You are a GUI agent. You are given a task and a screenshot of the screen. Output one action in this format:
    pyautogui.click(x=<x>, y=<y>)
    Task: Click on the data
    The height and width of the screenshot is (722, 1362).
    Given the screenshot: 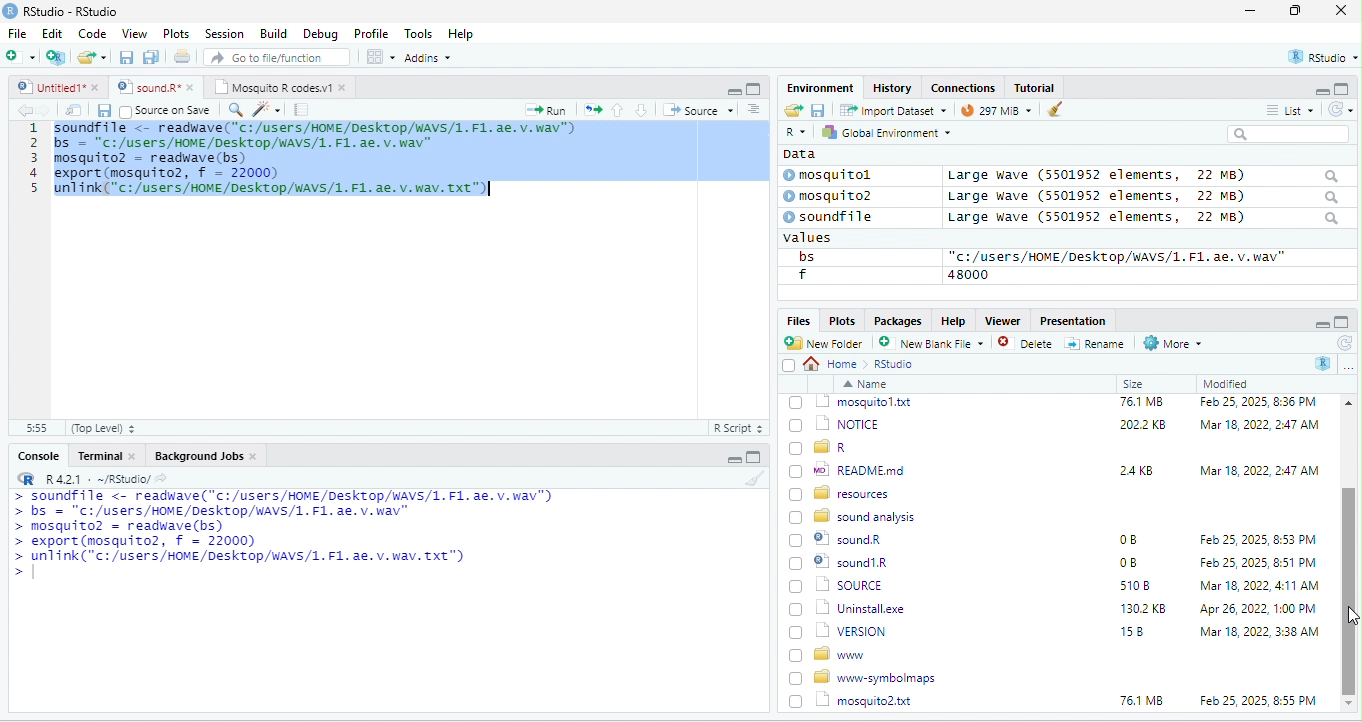 What is the action you would take?
    pyautogui.click(x=797, y=153)
    